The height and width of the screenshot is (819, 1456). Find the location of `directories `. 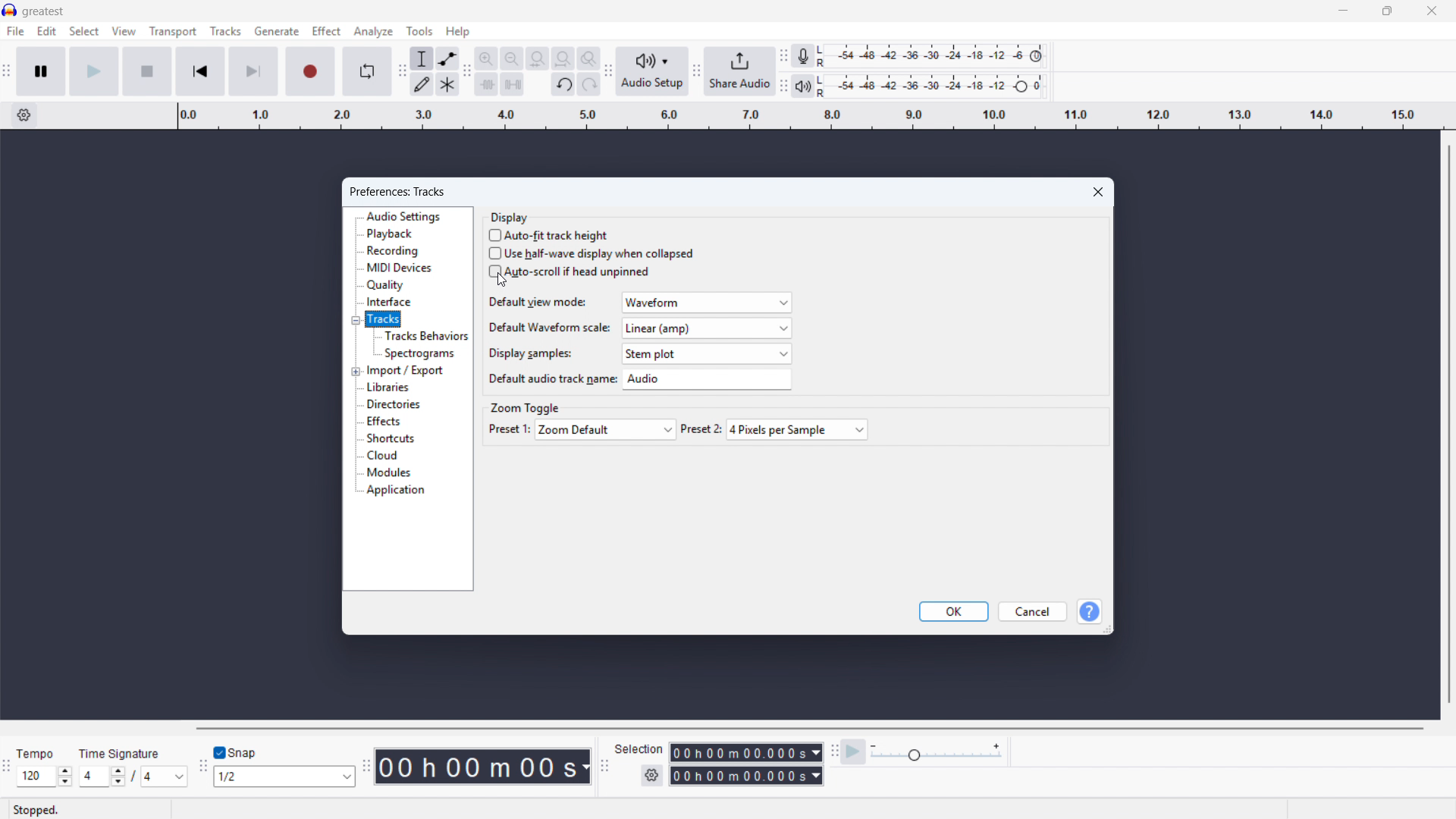

directories  is located at coordinates (393, 405).